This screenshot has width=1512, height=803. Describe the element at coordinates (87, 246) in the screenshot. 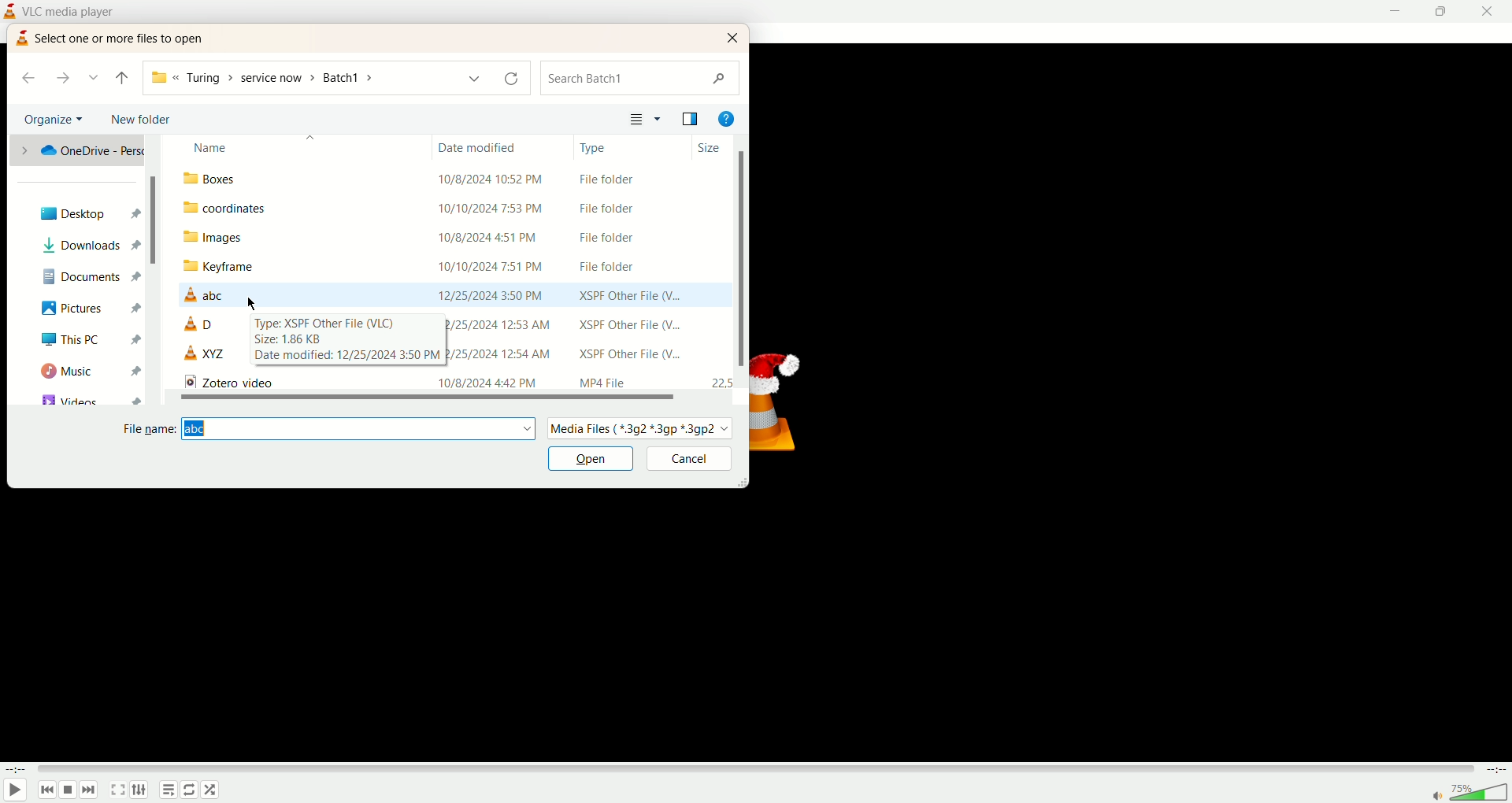

I see `downloads` at that location.